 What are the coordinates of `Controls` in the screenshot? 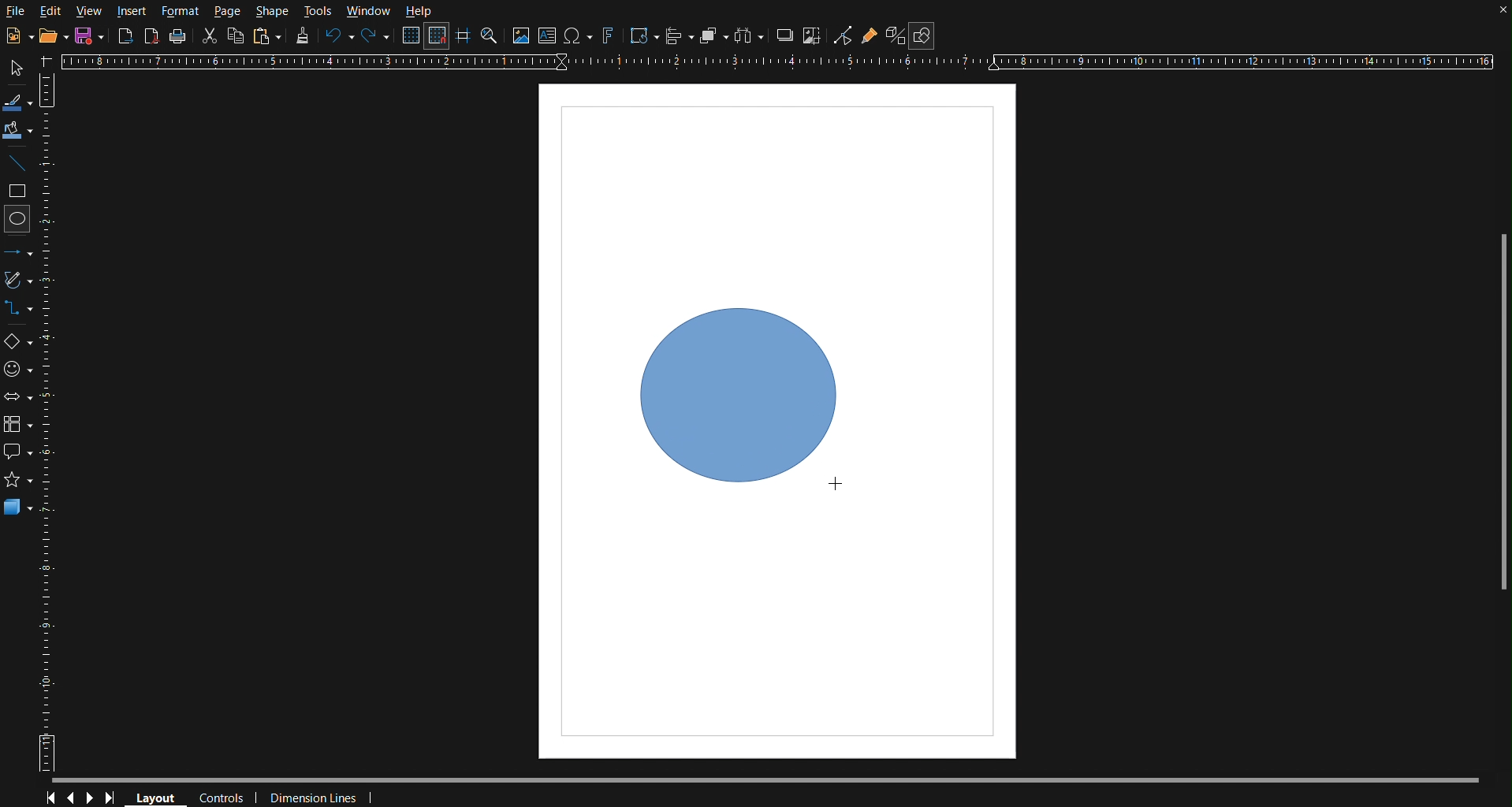 It's located at (82, 796).